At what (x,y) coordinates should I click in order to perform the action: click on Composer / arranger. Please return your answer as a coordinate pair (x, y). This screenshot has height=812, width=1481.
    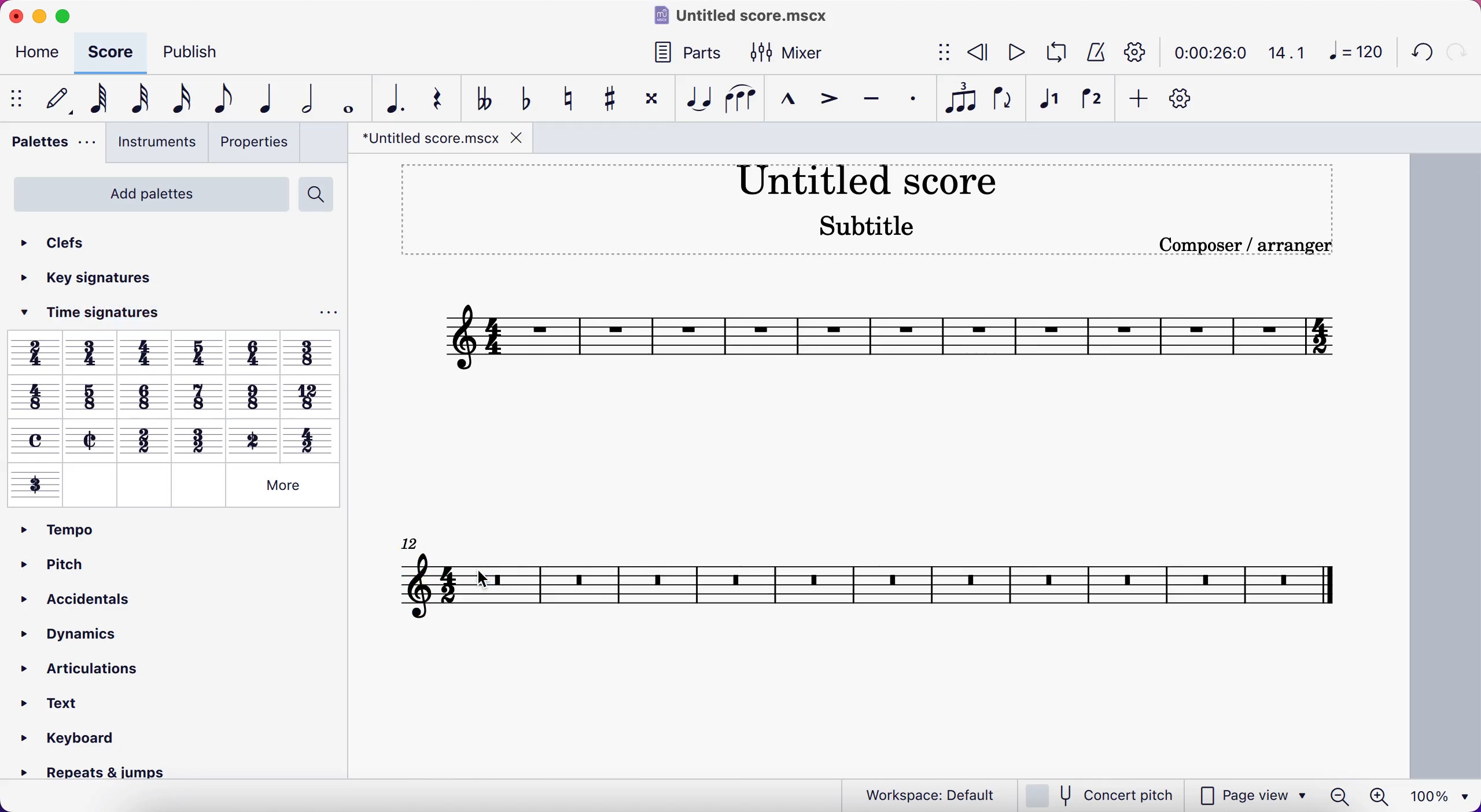
    Looking at the image, I should click on (1243, 245).